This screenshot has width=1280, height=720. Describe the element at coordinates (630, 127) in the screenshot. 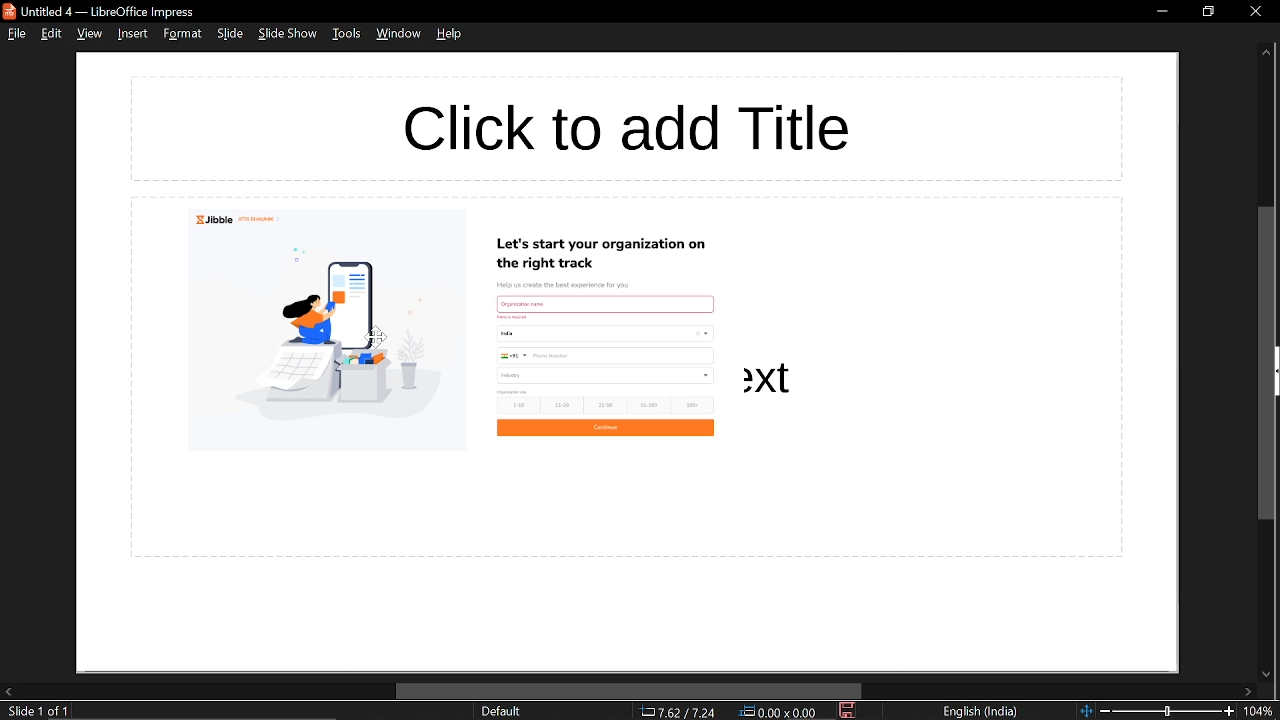

I see `space for title` at that location.